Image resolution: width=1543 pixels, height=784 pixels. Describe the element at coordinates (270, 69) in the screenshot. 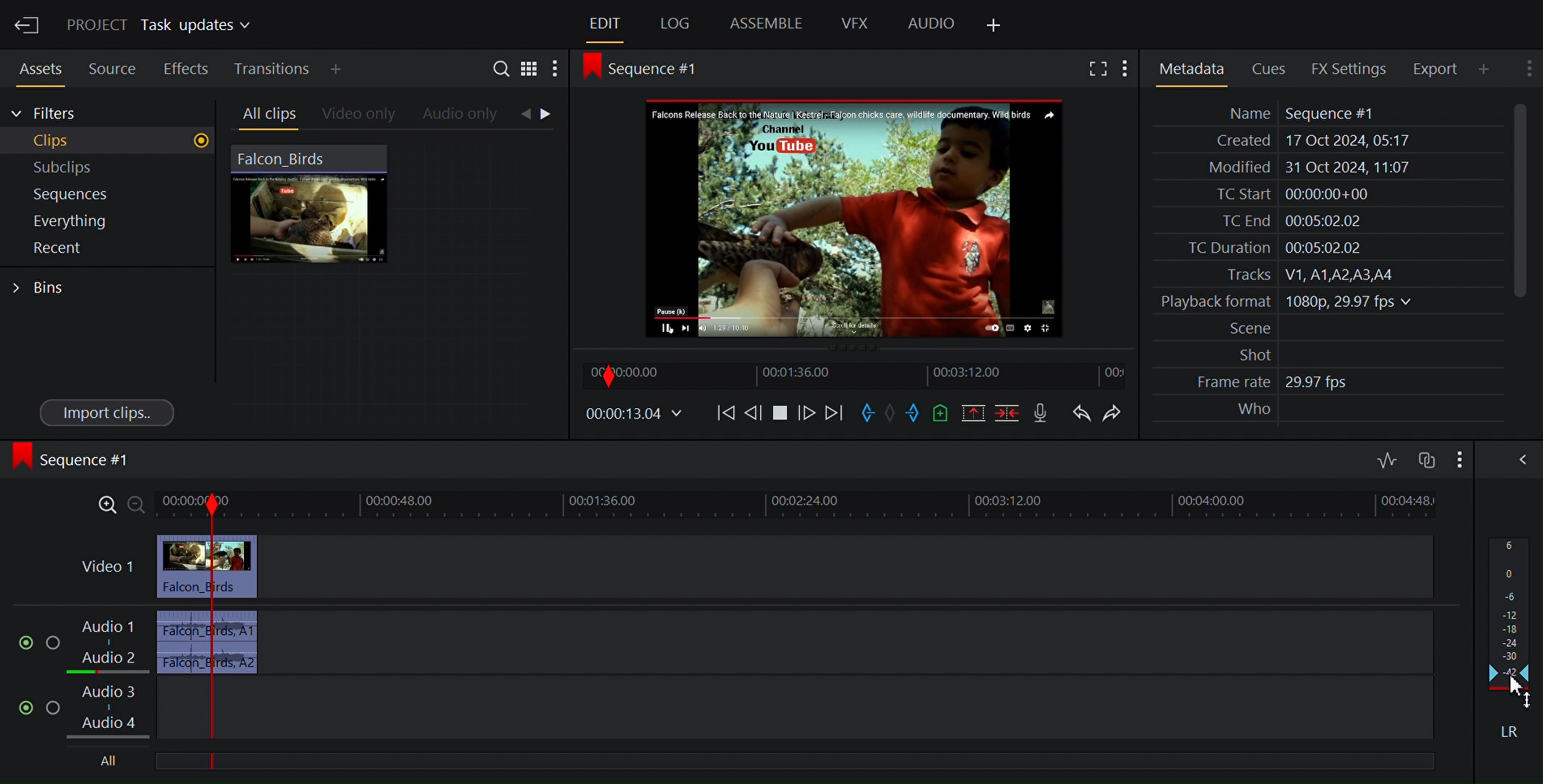

I see `Transition` at that location.